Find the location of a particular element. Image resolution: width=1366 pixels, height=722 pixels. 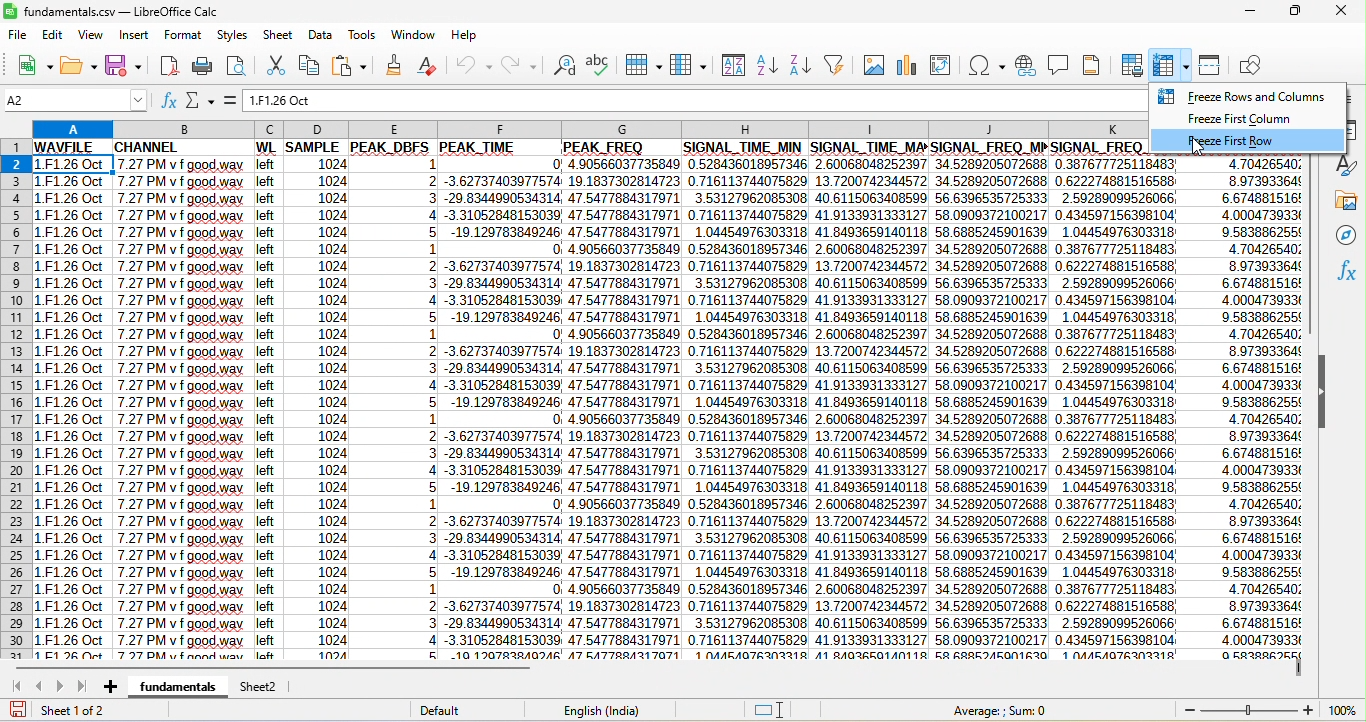

clone formatting is located at coordinates (394, 65).